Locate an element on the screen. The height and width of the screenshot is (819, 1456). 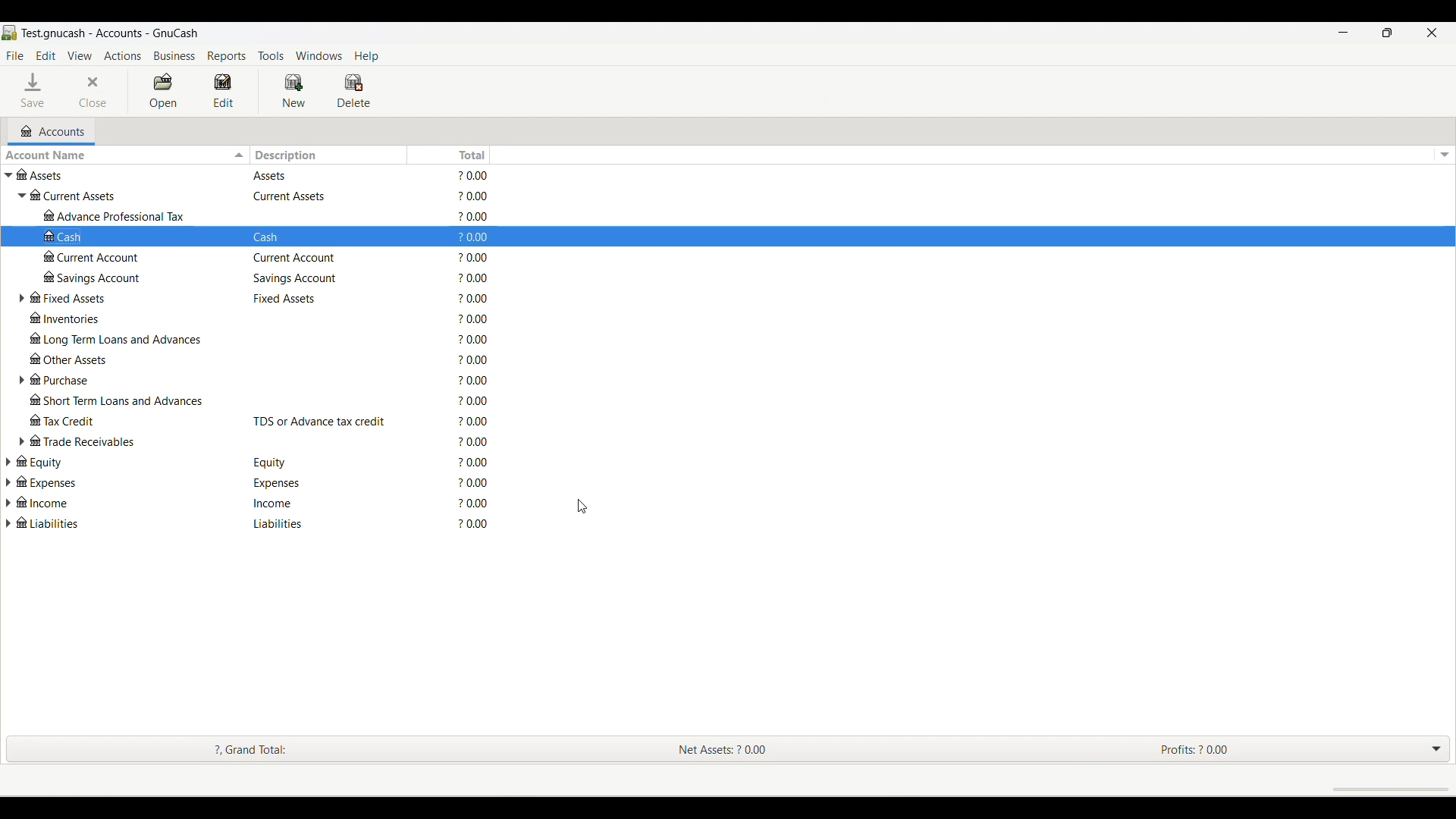
New is located at coordinates (293, 91).